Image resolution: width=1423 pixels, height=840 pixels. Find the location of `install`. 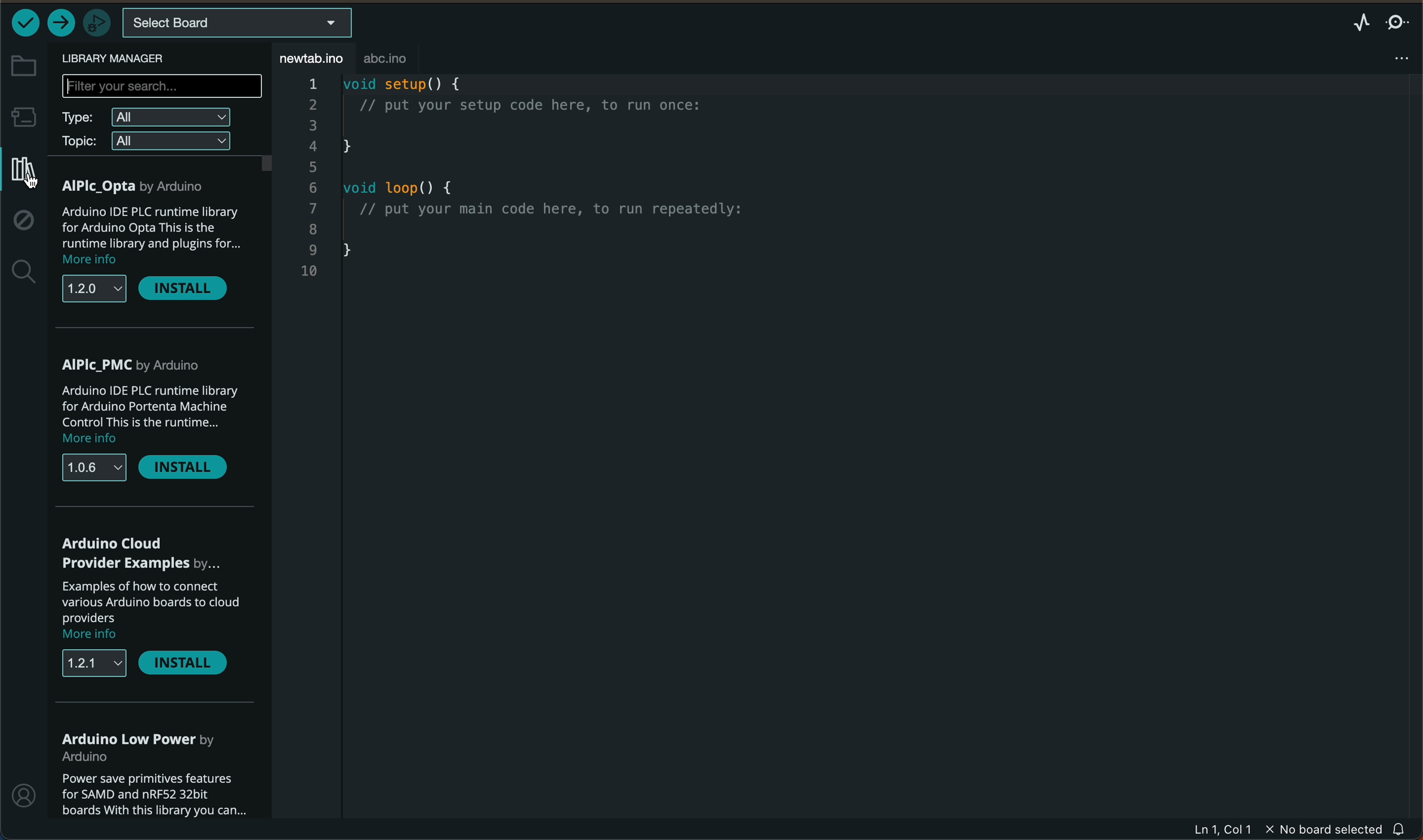

install is located at coordinates (185, 289).